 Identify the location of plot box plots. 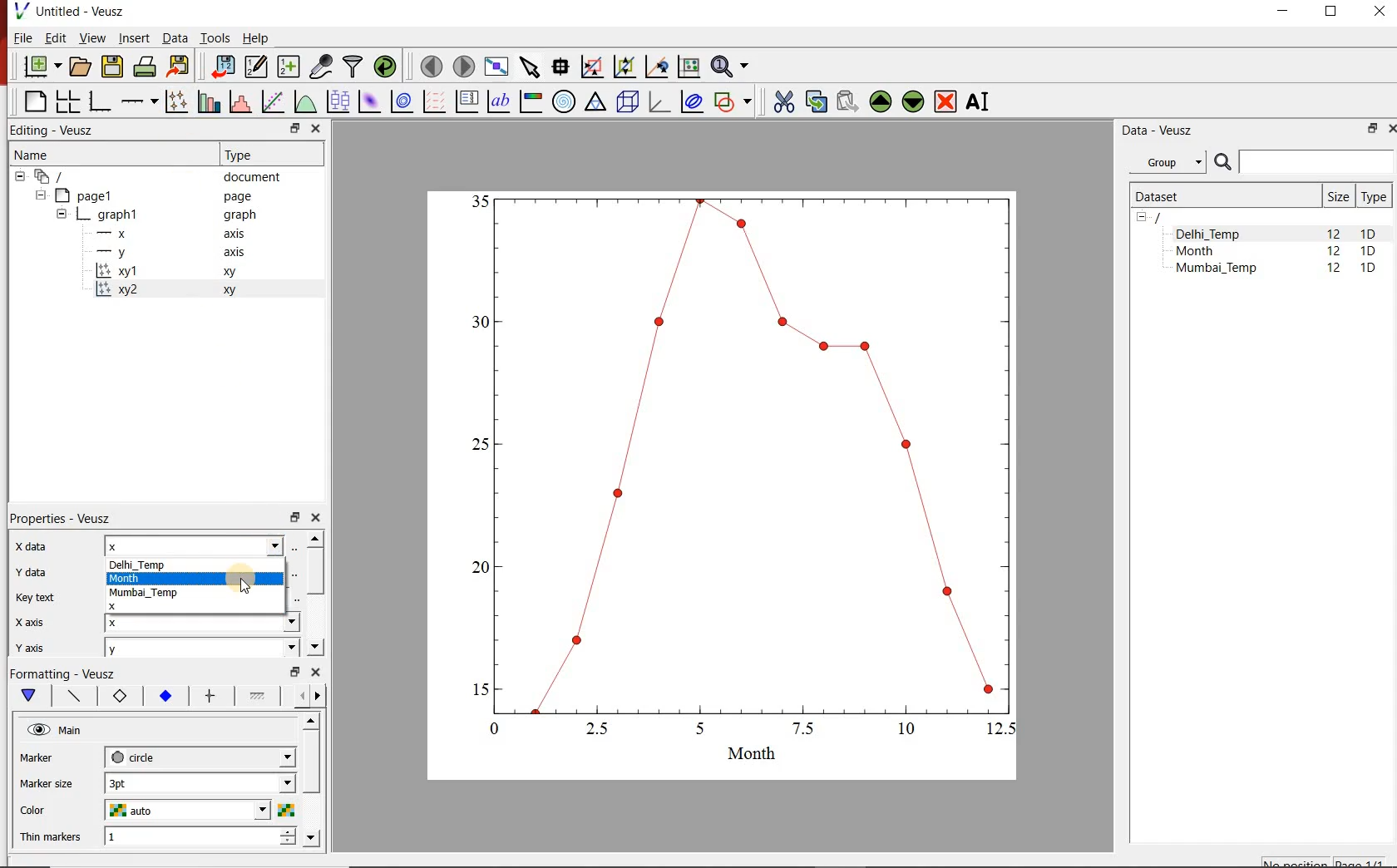
(338, 101).